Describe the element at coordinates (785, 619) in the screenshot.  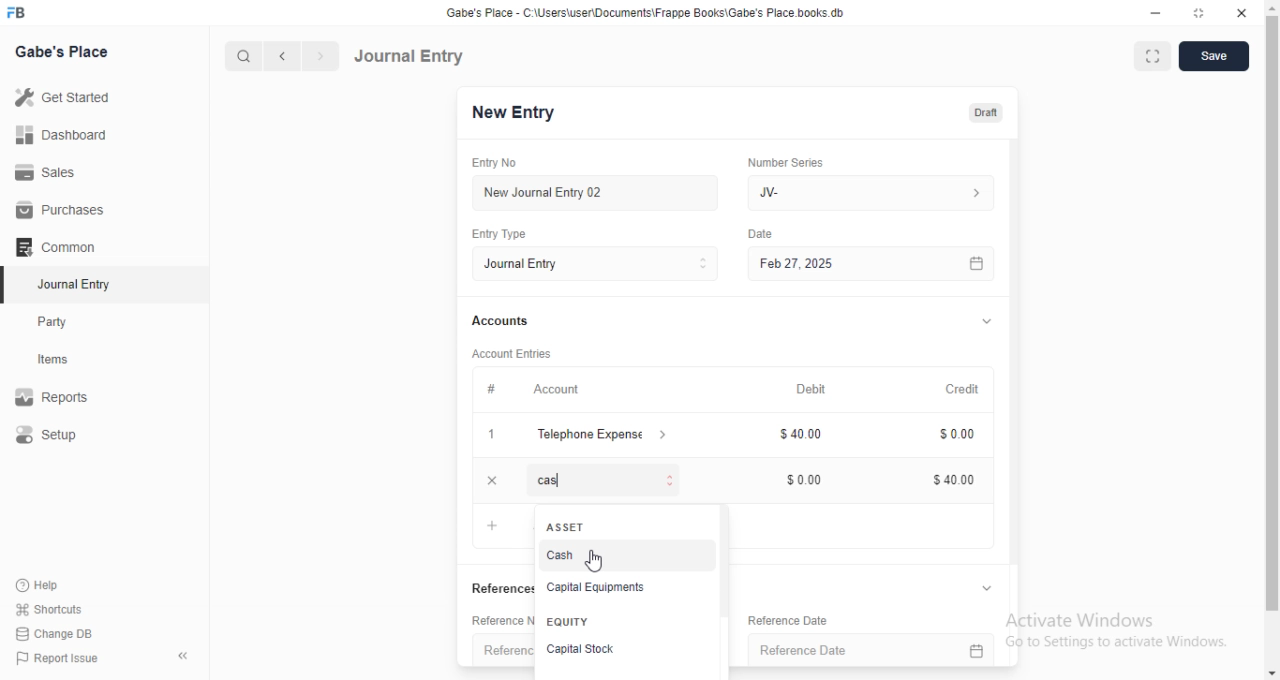
I see `‘Reference Date` at that location.